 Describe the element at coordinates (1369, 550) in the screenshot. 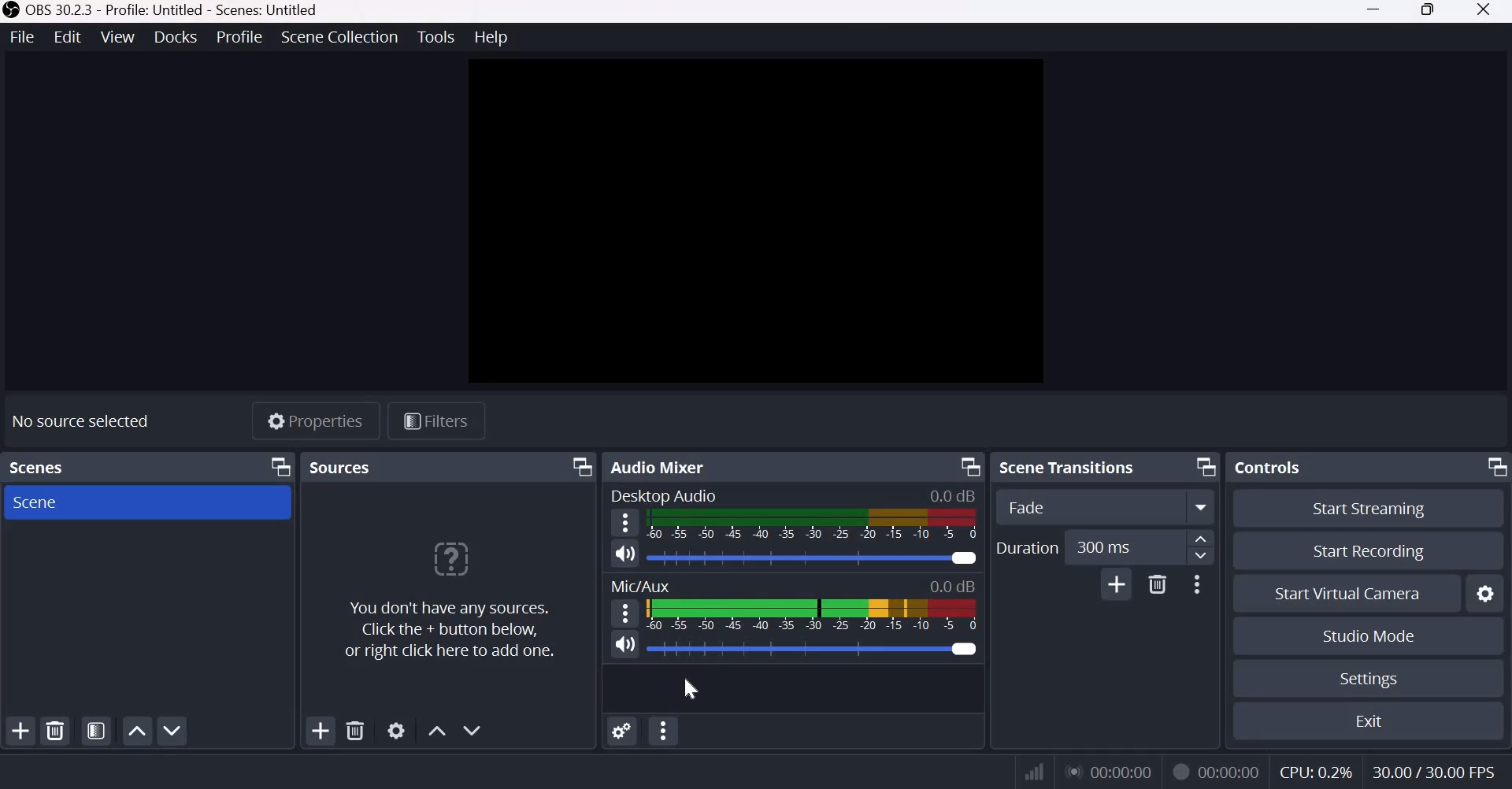

I see `Start Recording` at that location.